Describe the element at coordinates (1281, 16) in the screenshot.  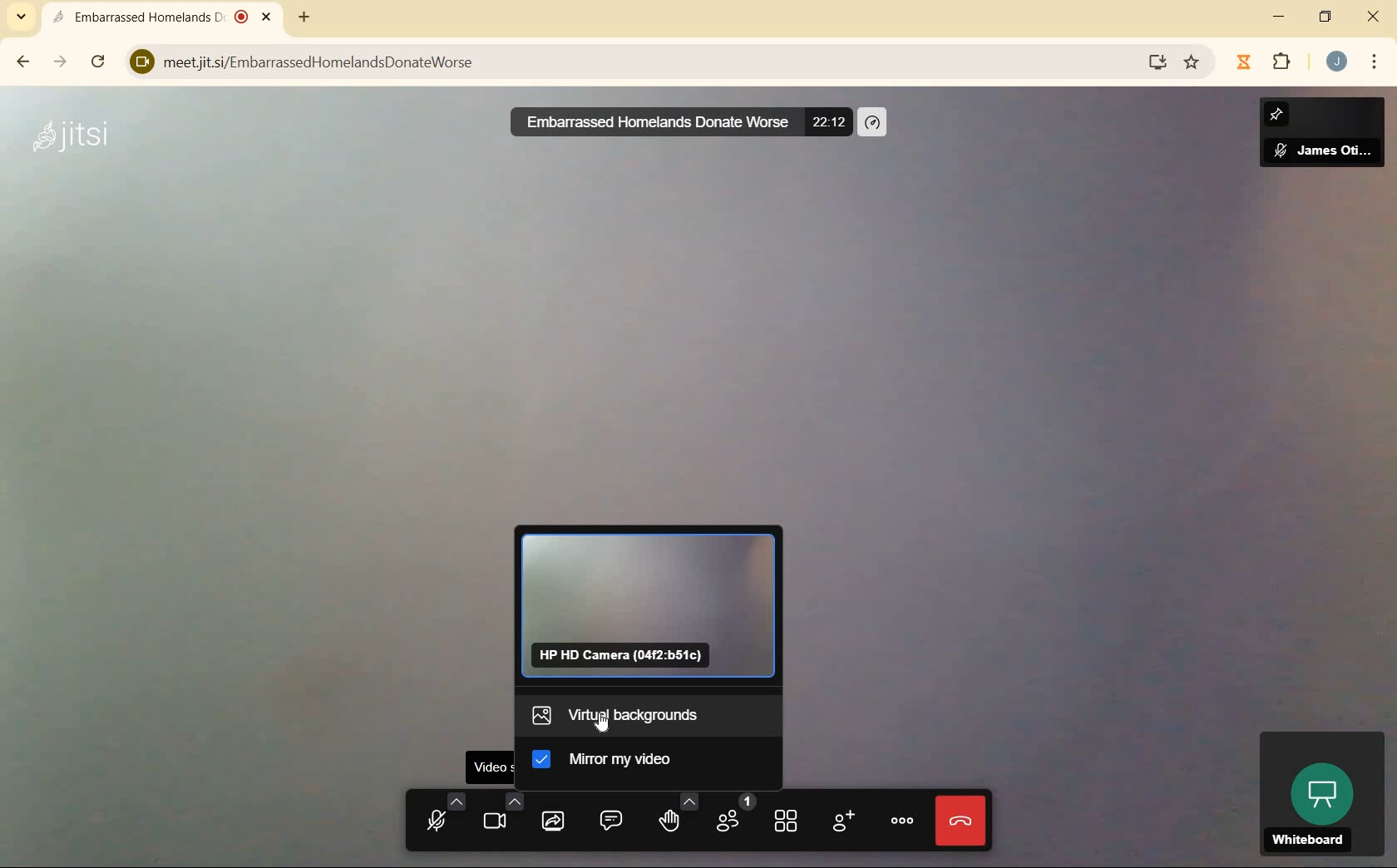
I see `minimize` at that location.